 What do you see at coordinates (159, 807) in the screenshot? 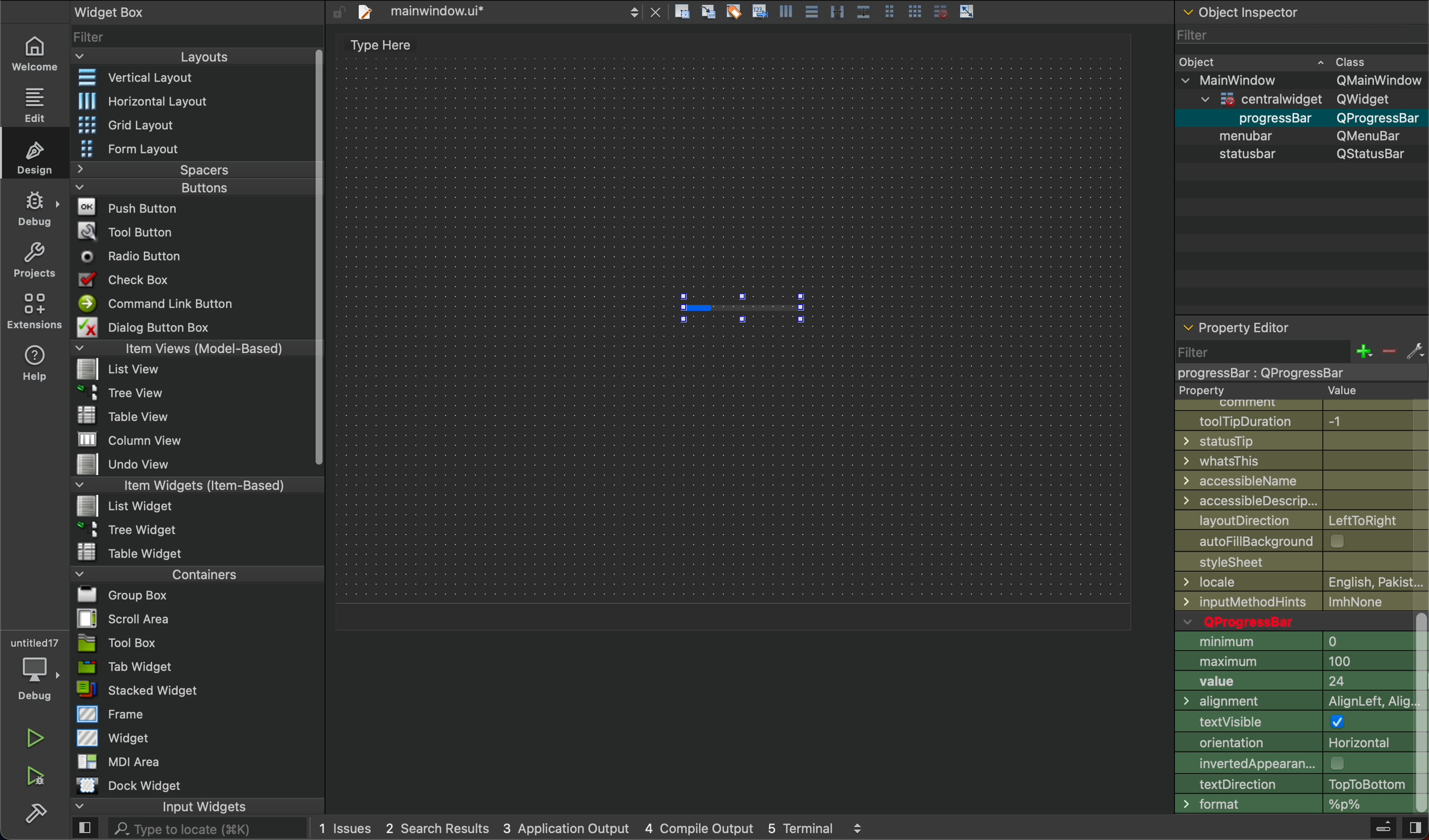
I see `Input Widget` at bounding box center [159, 807].